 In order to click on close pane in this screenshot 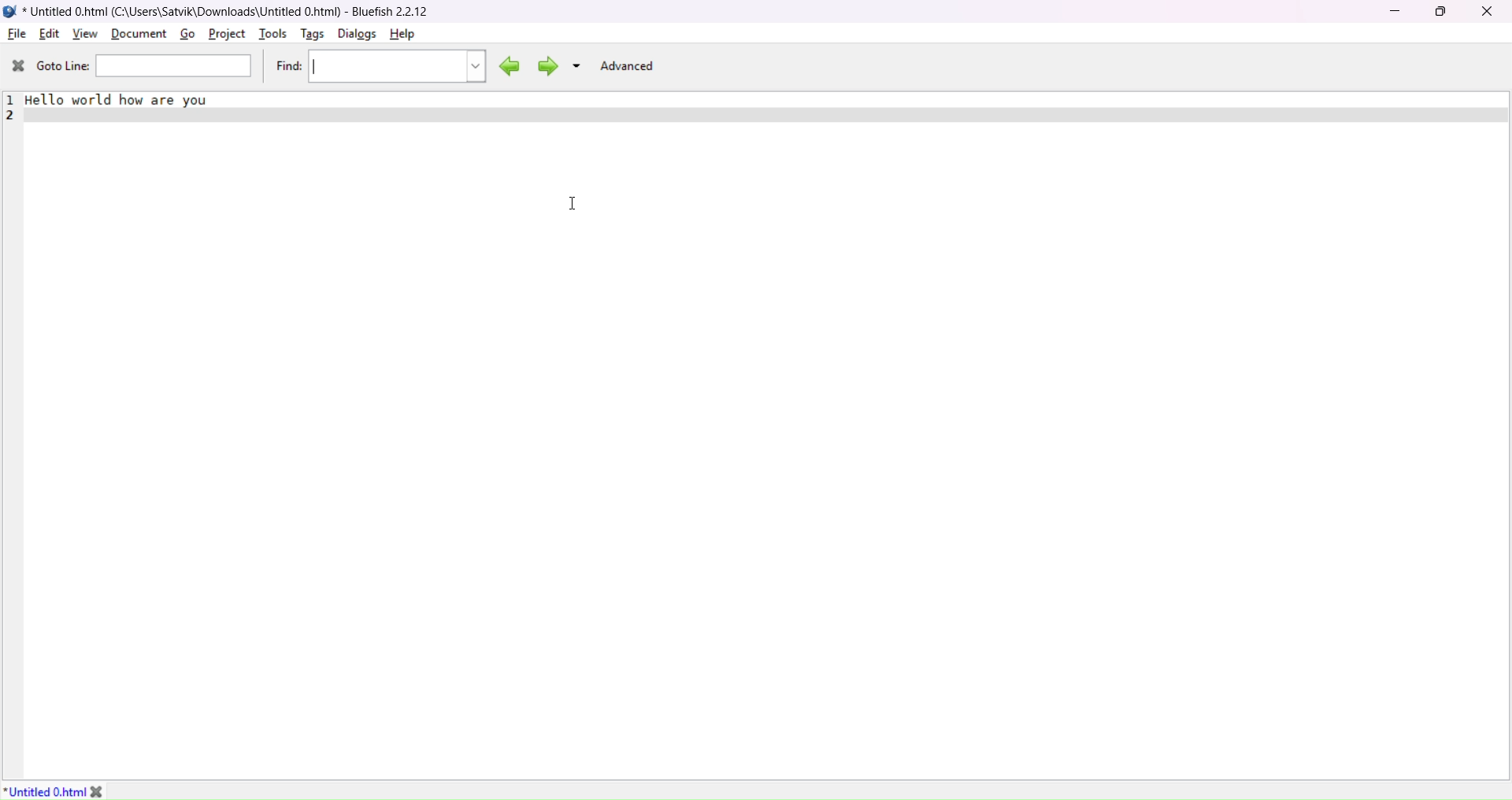, I will do `click(16, 66)`.